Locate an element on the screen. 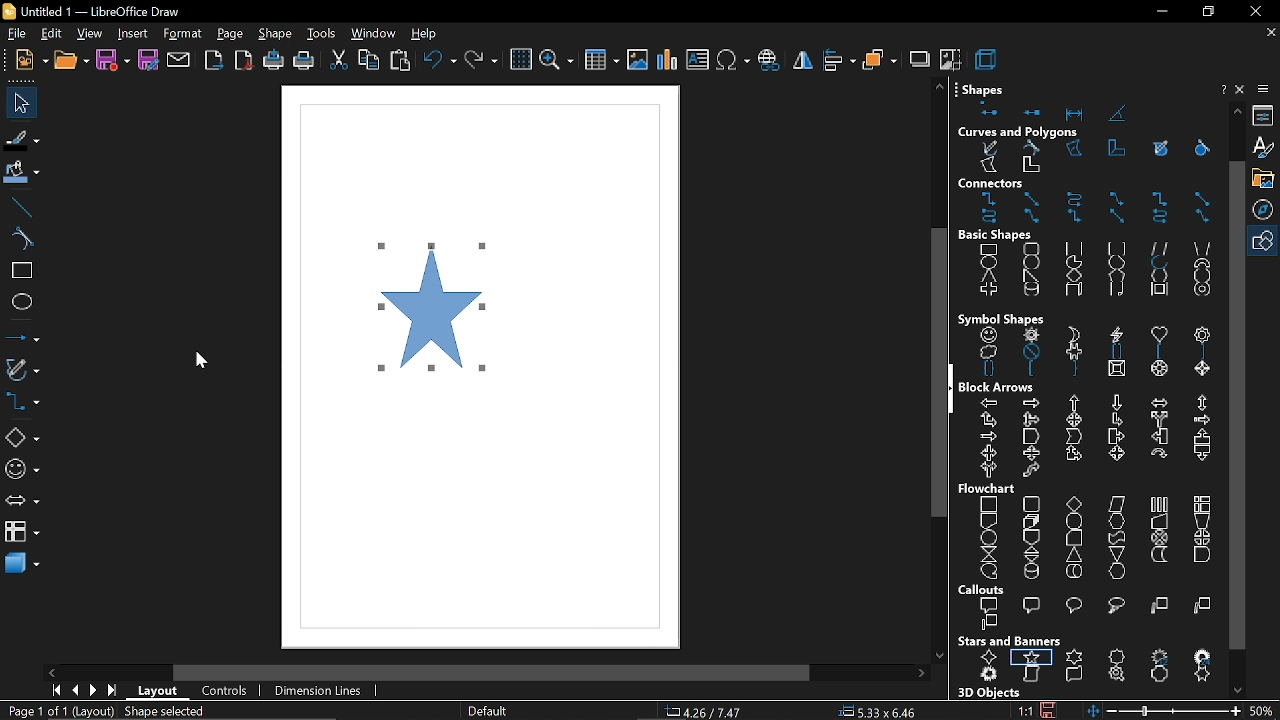 This screenshot has height=720, width=1280. line is located at coordinates (21, 206).